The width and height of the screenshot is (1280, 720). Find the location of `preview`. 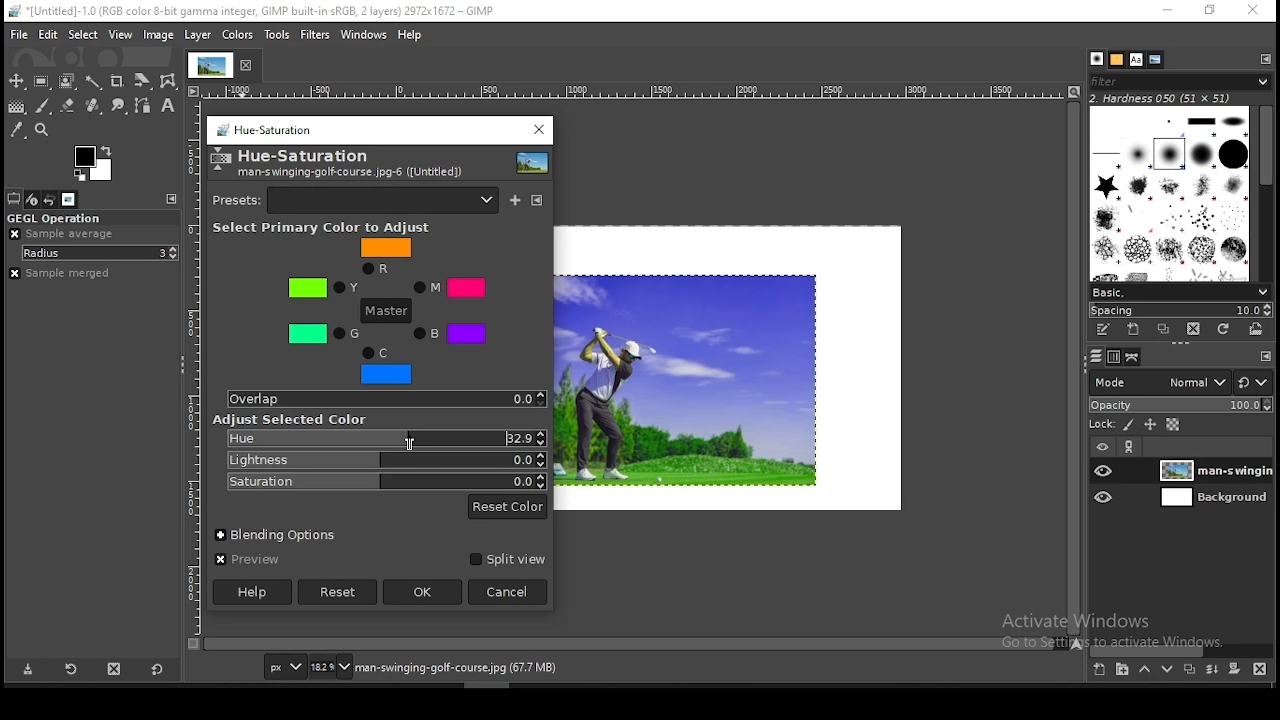

preview is located at coordinates (248, 560).